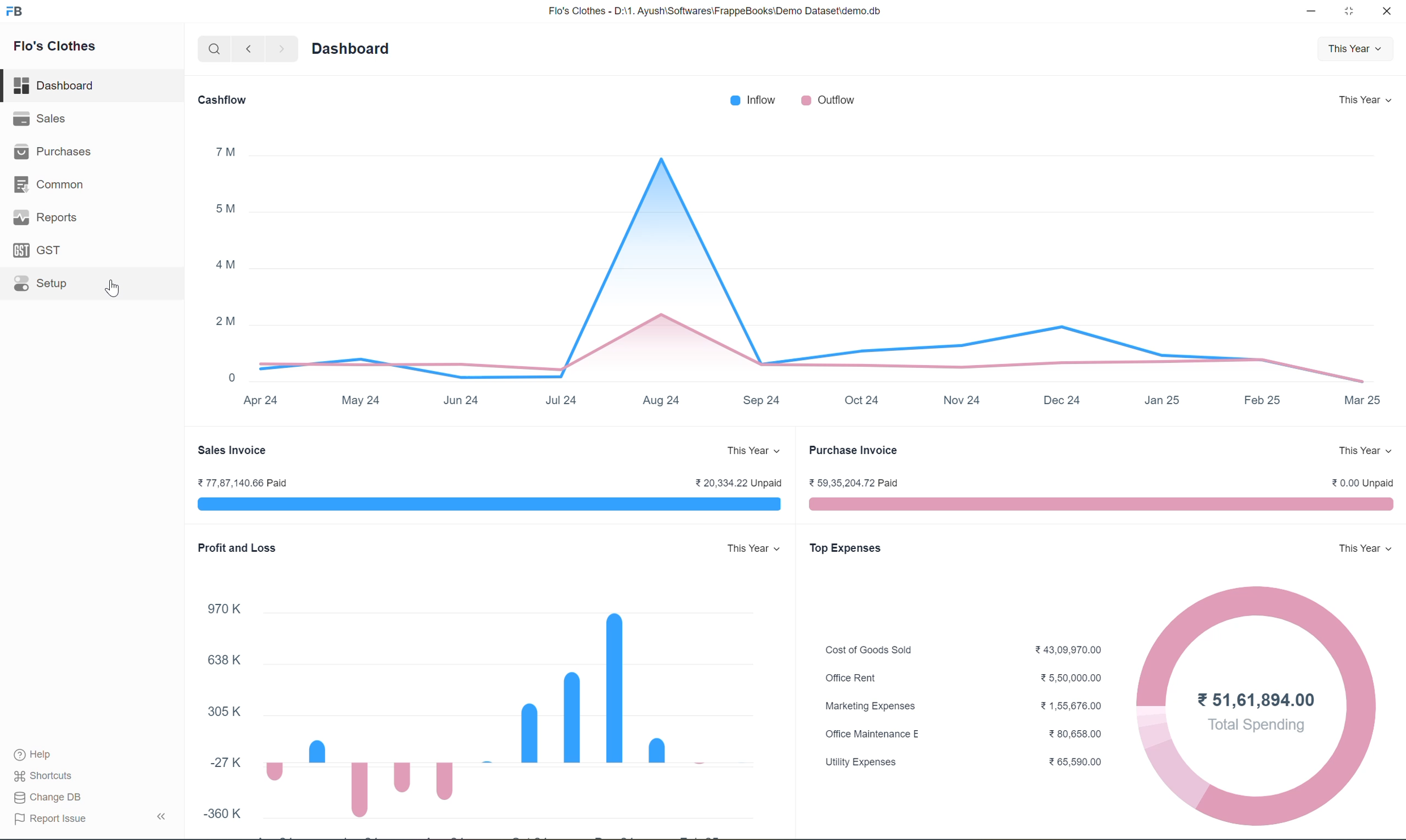 This screenshot has height=840, width=1406. What do you see at coordinates (225, 711) in the screenshot?
I see `305K` at bounding box center [225, 711].